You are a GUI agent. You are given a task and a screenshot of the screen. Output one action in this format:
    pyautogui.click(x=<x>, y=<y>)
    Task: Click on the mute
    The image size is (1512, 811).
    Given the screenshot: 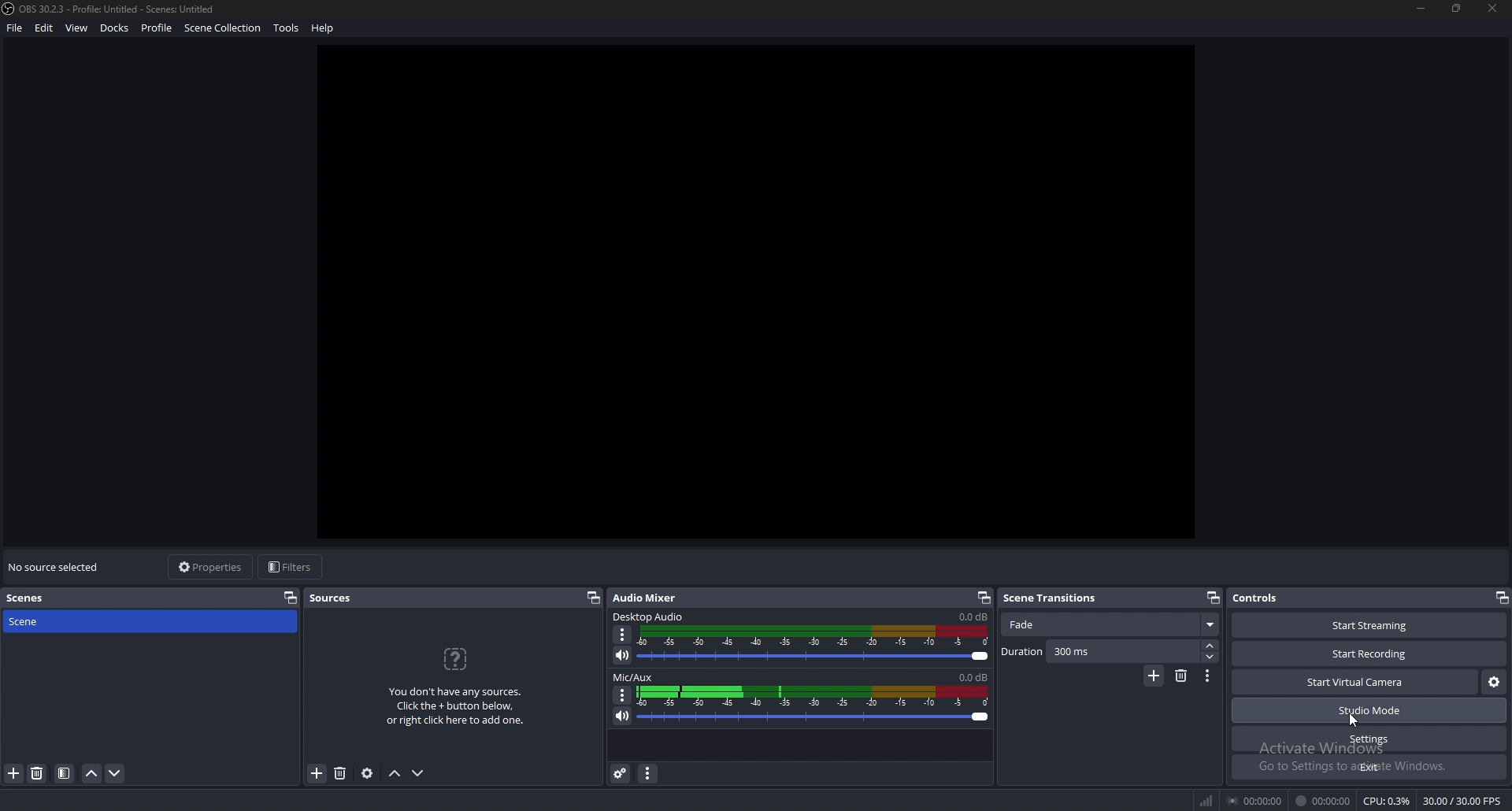 What is the action you would take?
    pyautogui.click(x=623, y=716)
    